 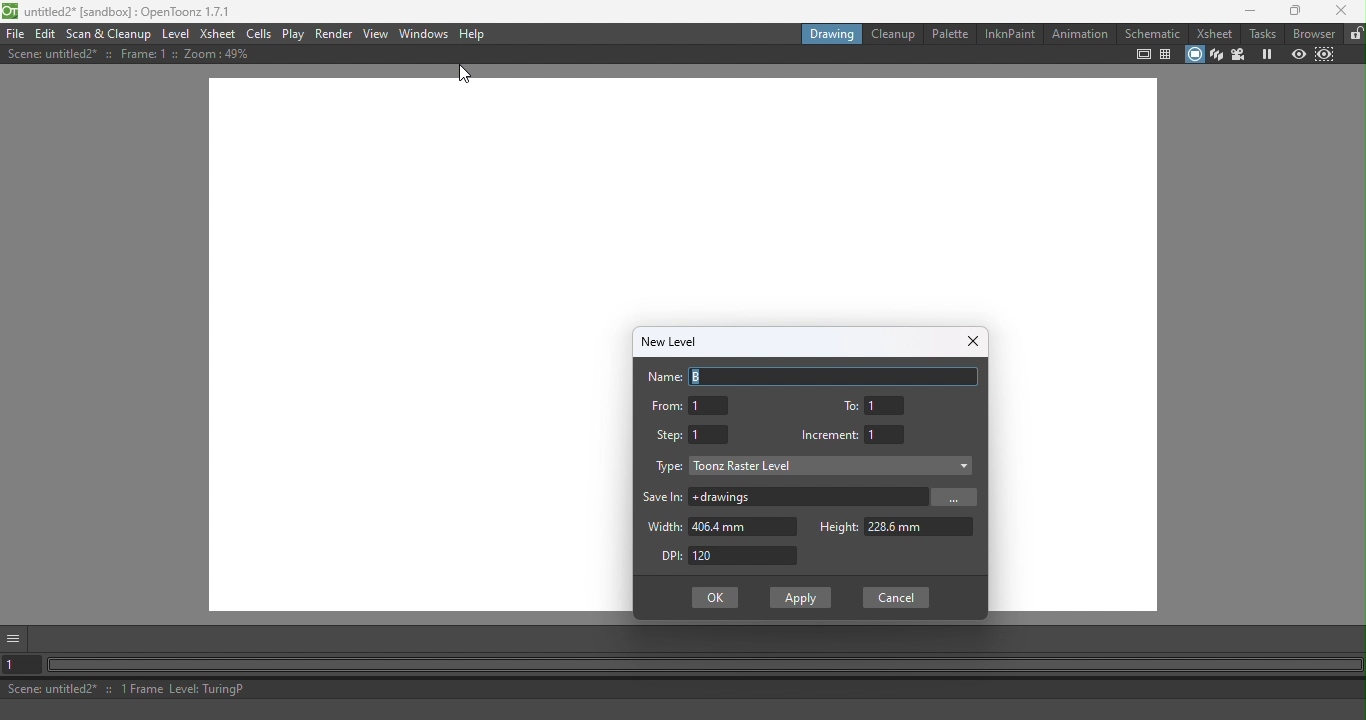 What do you see at coordinates (705, 666) in the screenshot?
I see `Horizontal scroll bar` at bounding box center [705, 666].